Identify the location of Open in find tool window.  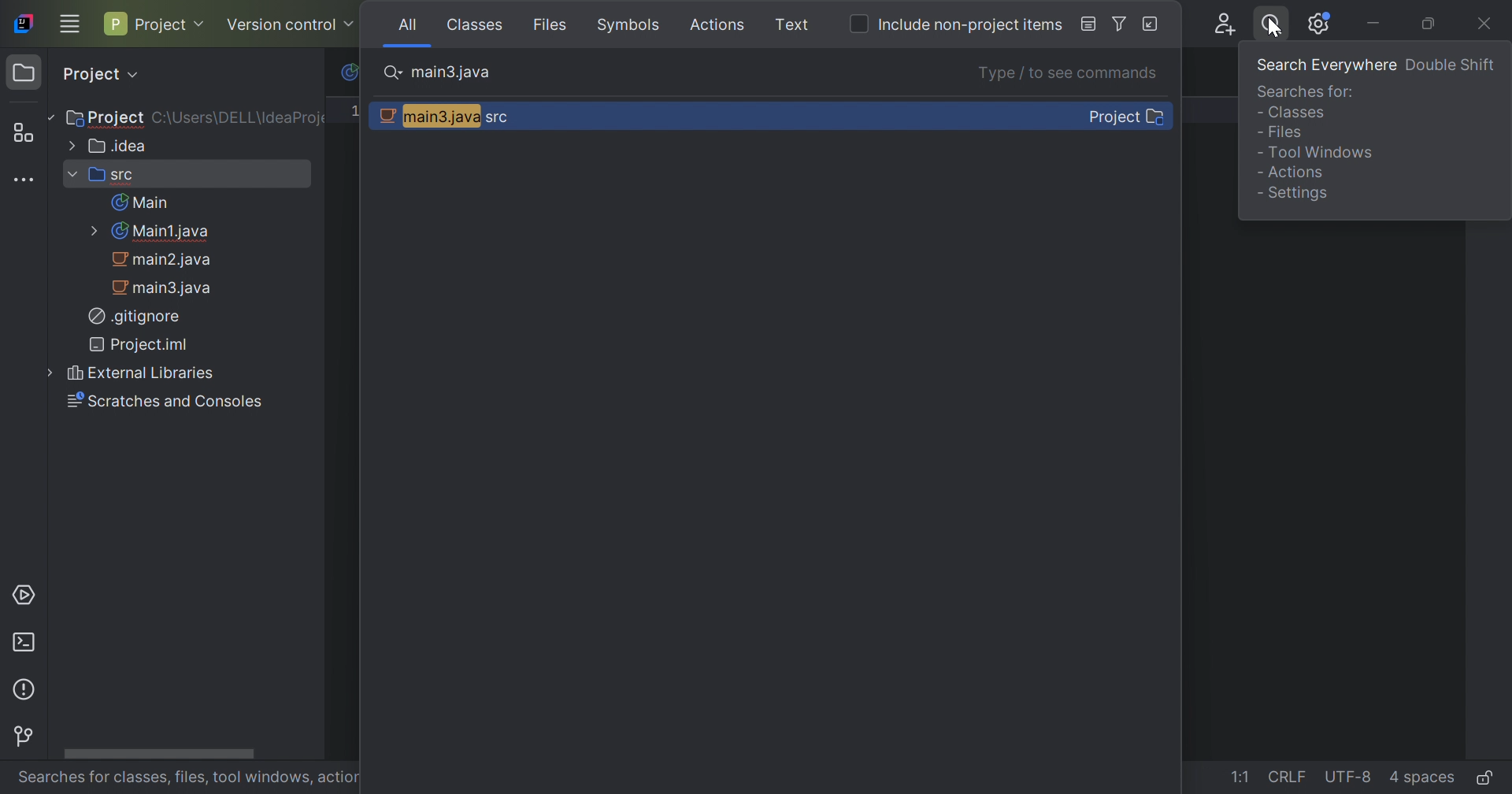
(1151, 24).